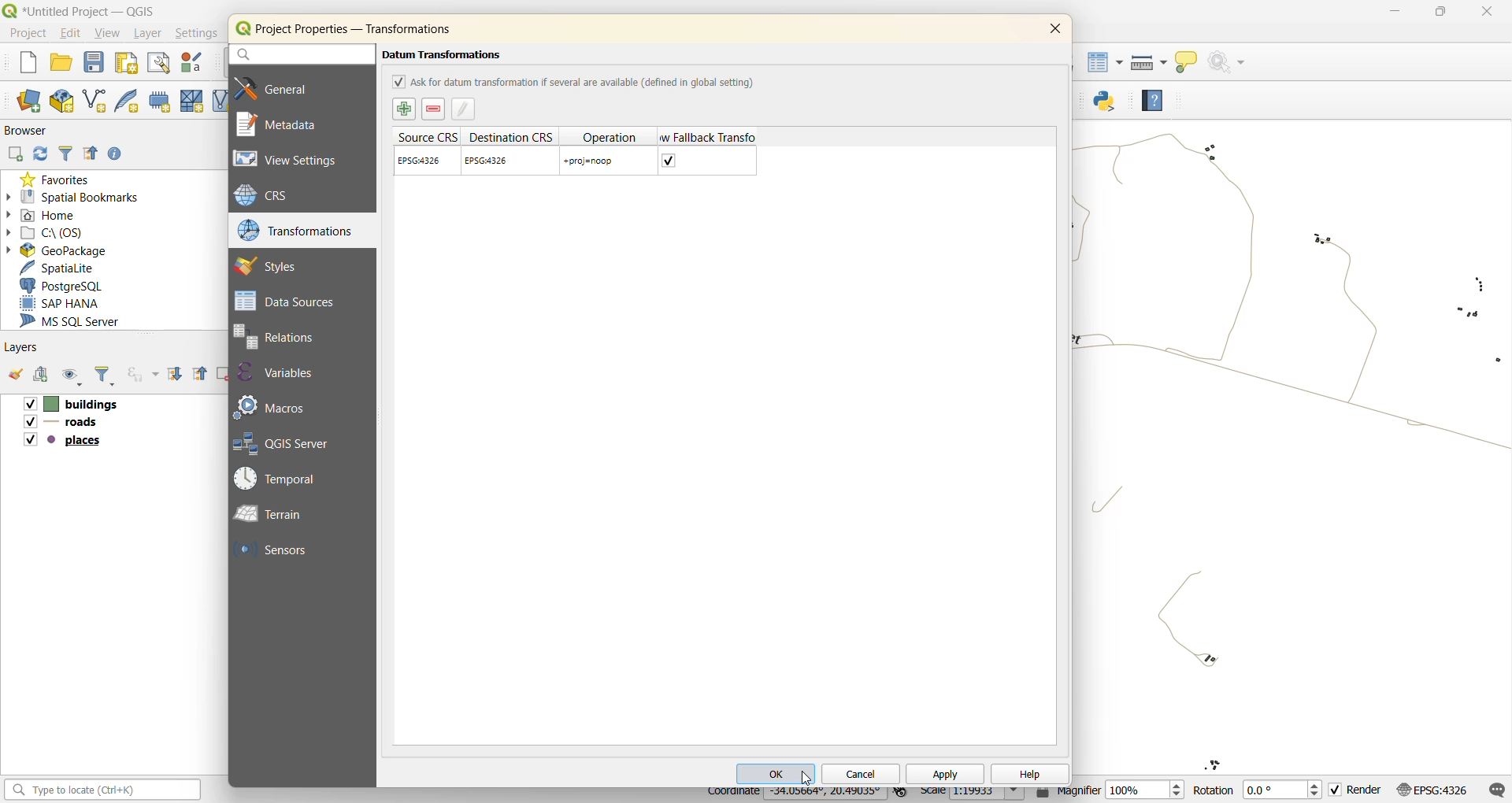  I want to click on apply, so click(947, 775).